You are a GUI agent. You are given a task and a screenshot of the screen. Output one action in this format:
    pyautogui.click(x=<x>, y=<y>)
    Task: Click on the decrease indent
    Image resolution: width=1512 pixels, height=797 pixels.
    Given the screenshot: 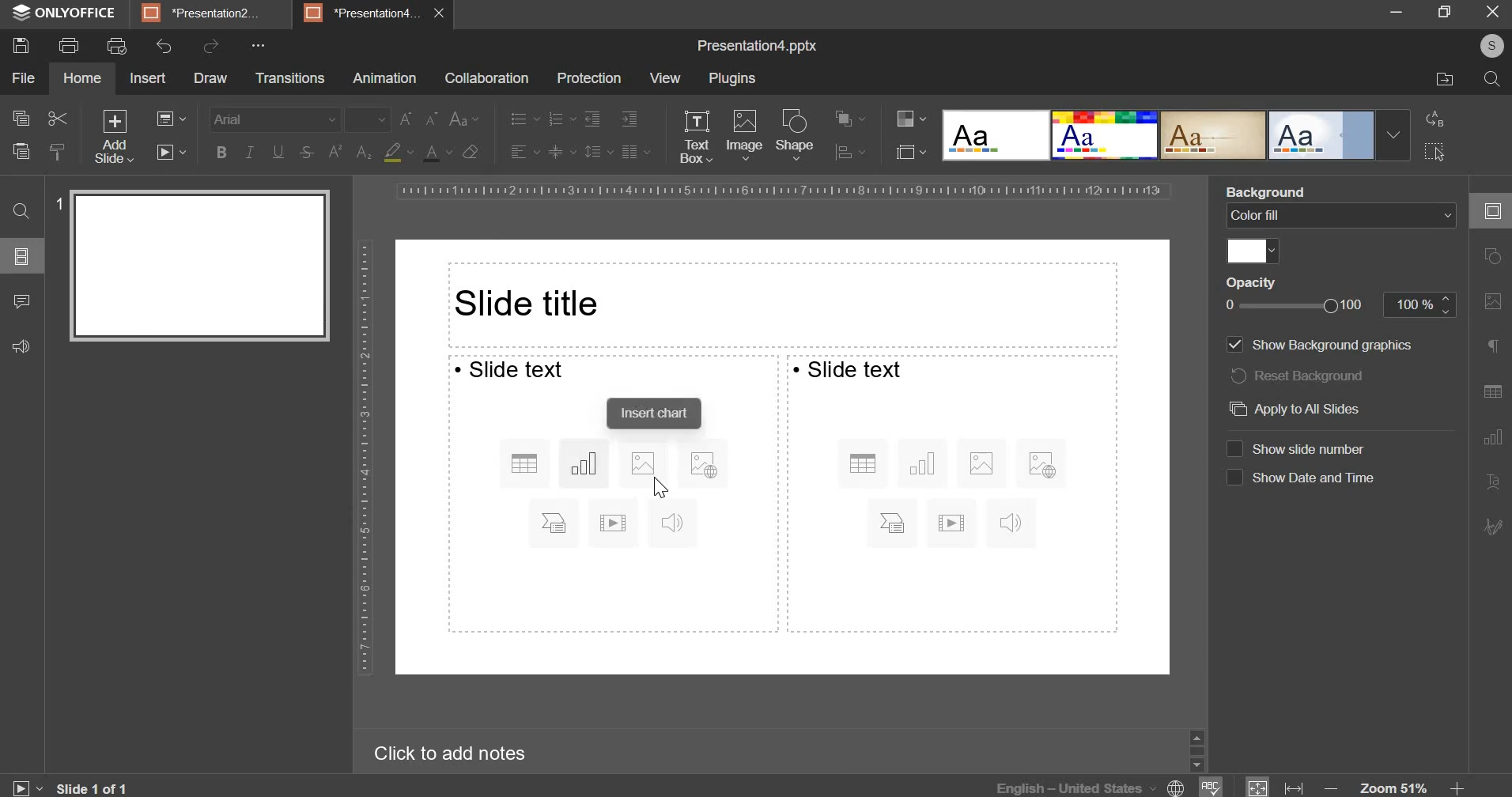 What is the action you would take?
    pyautogui.click(x=591, y=120)
    